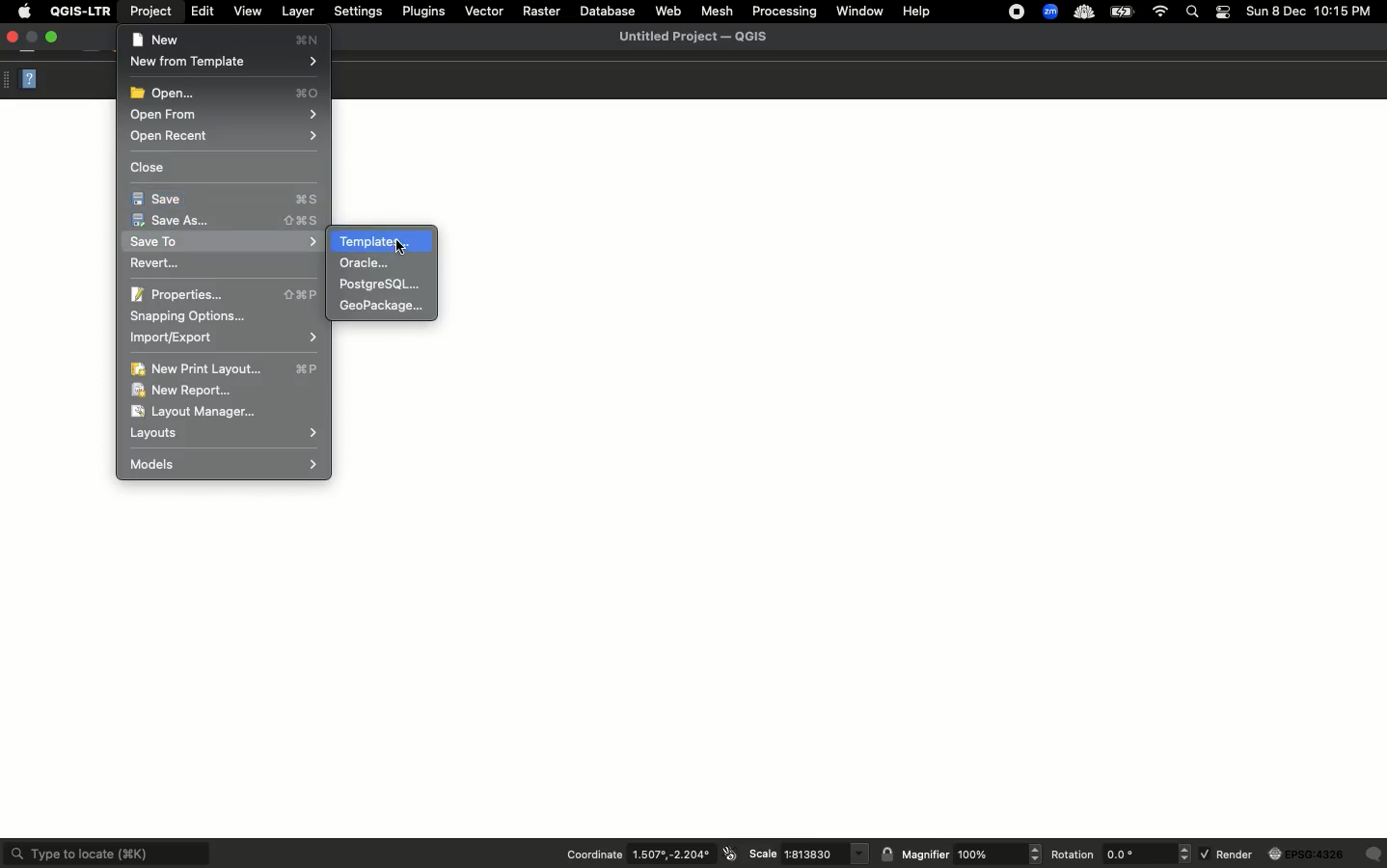 This screenshot has height=868, width=1387. What do you see at coordinates (187, 392) in the screenshot?
I see `New report` at bounding box center [187, 392].